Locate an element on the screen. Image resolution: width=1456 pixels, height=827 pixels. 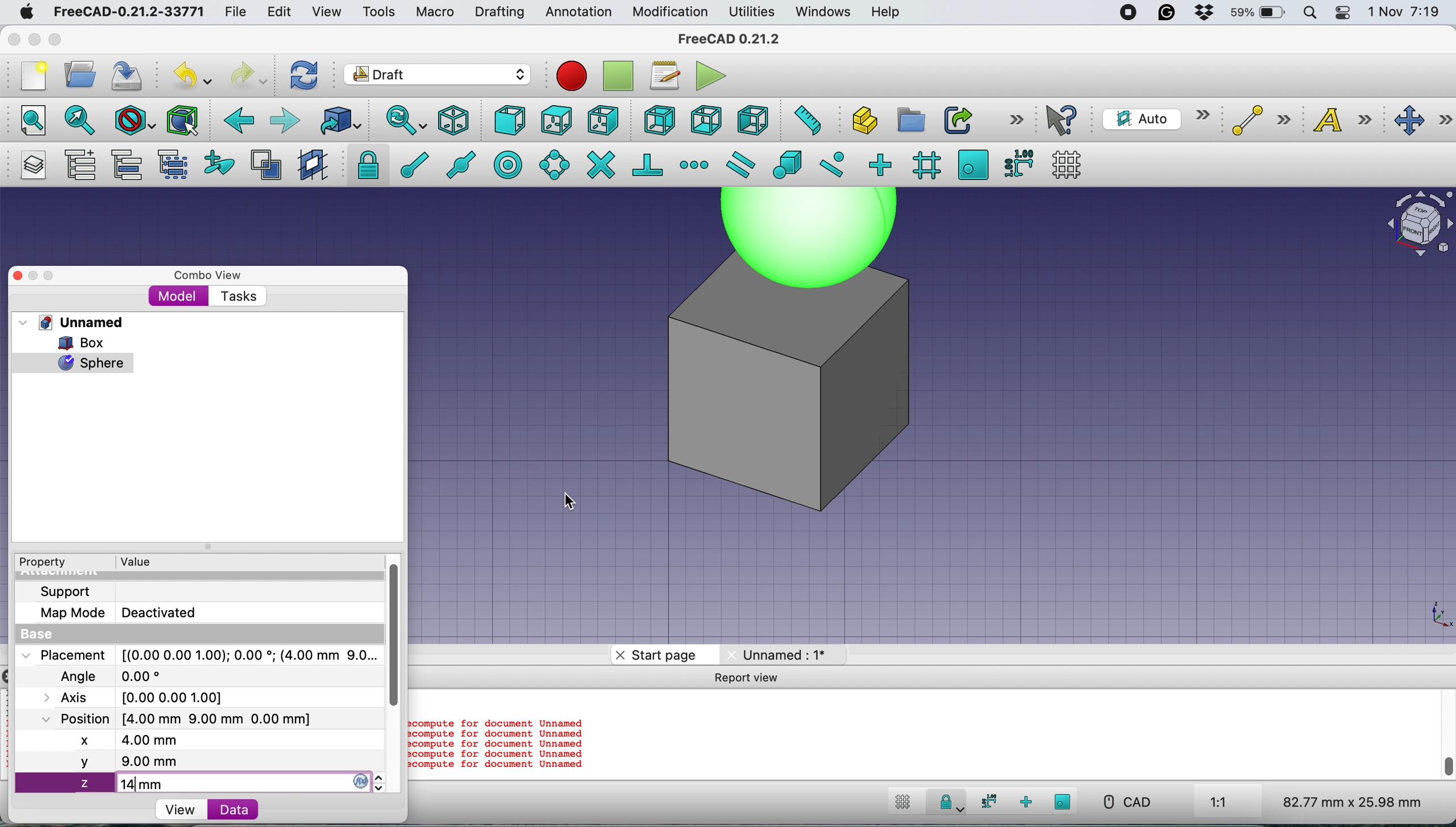
control center is located at coordinates (1343, 12).